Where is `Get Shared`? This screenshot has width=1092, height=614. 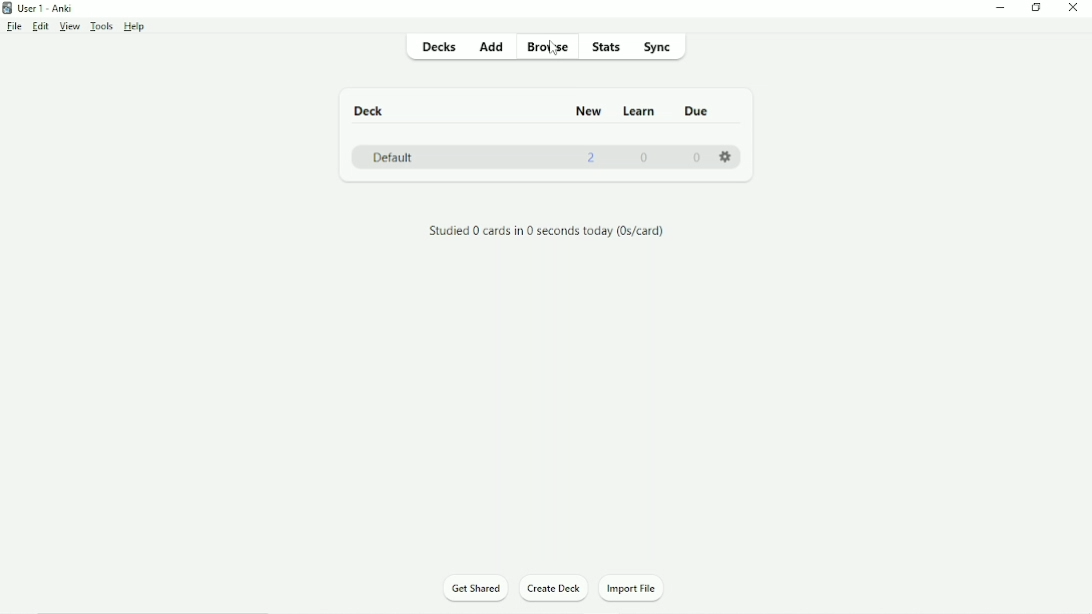 Get Shared is located at coordinates (472, 589).